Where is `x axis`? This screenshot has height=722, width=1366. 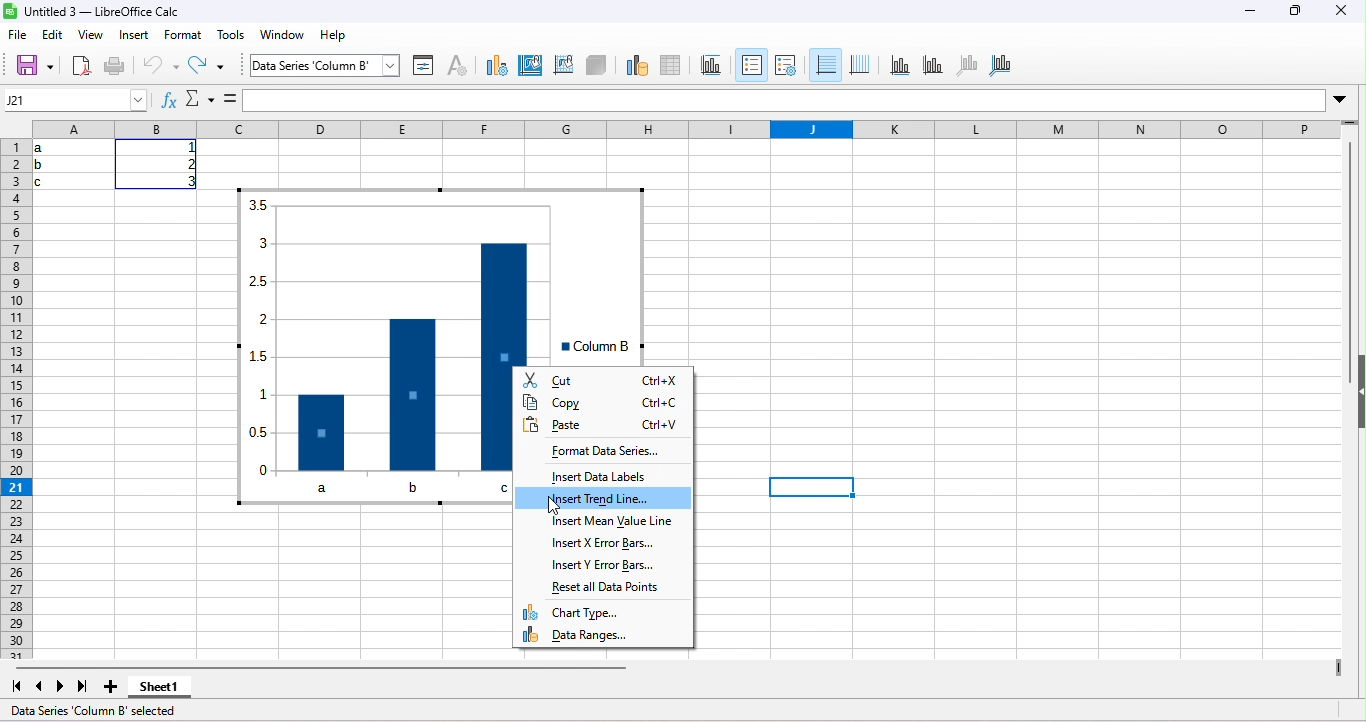
x axis is located at coordinates (903, 66).